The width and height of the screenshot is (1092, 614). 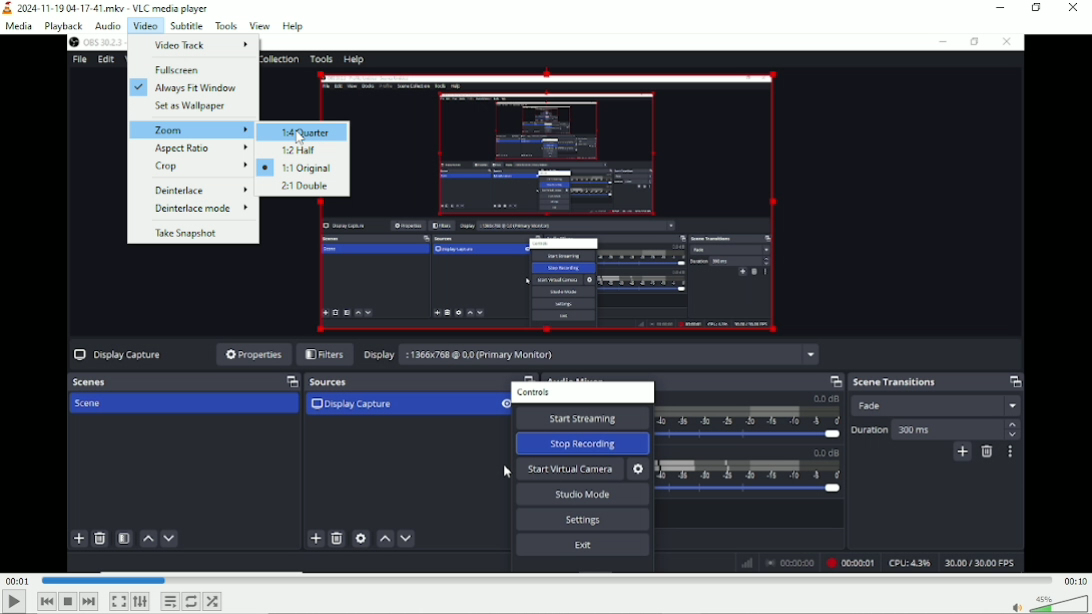 I want to click on Play, so click(x=12, y=603).